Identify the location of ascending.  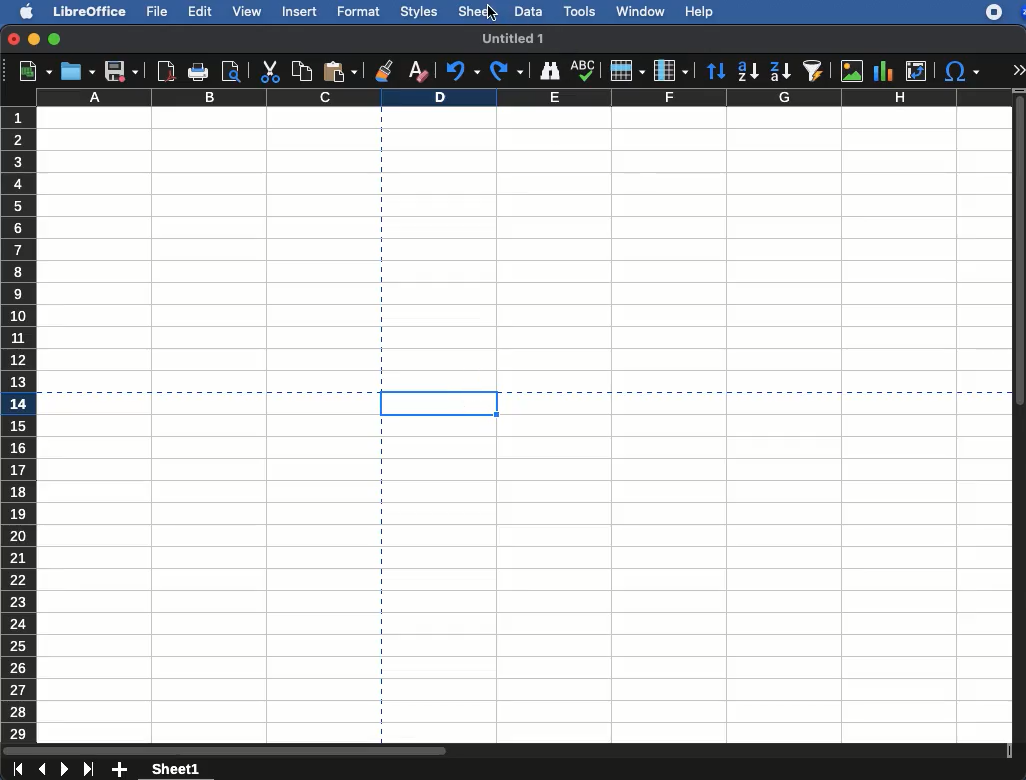
(747, 69).